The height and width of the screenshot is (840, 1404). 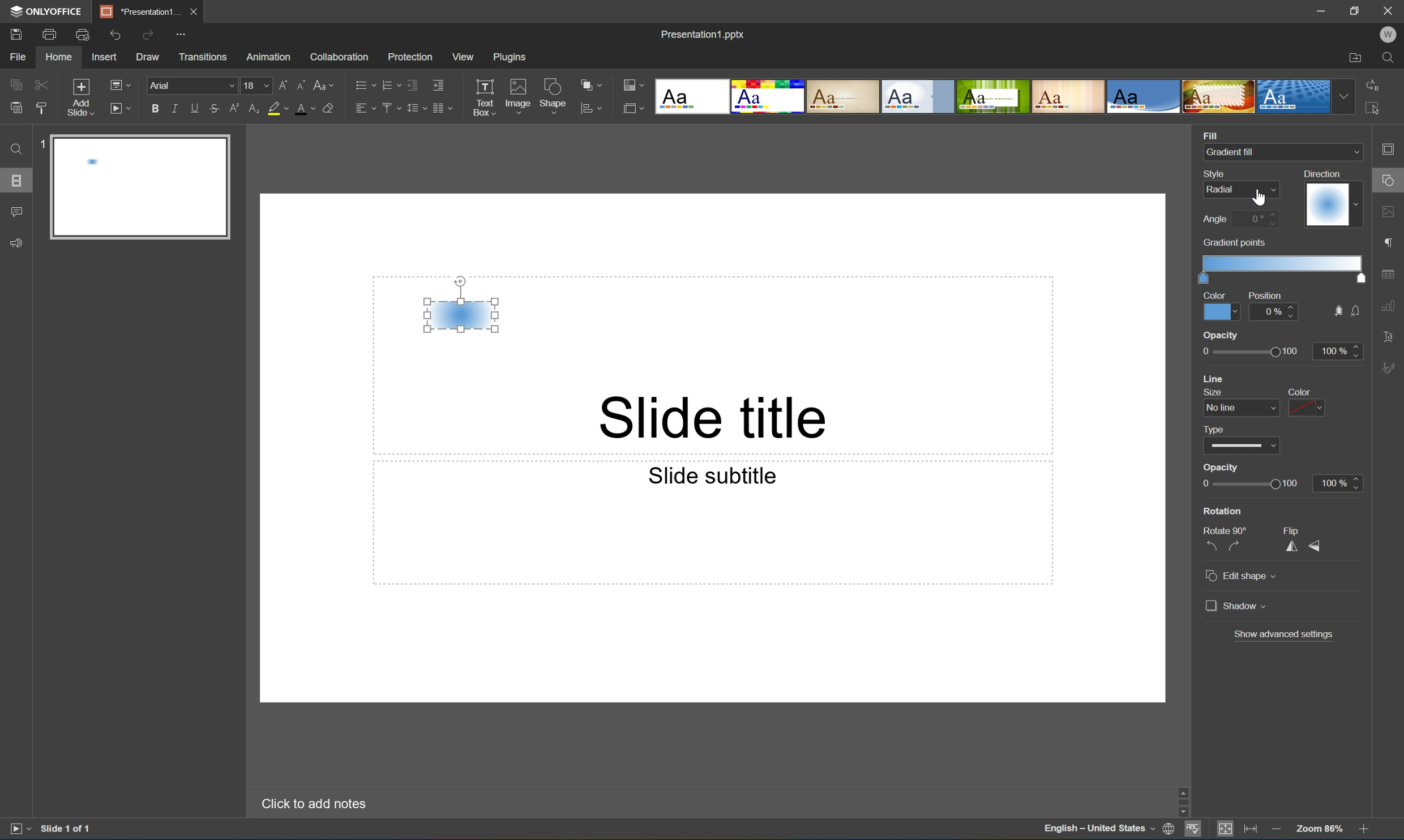 What do you see at coordinates (365, 109) in the screenshot?
I see `Horizontal align` at bounding box center [365, 109].